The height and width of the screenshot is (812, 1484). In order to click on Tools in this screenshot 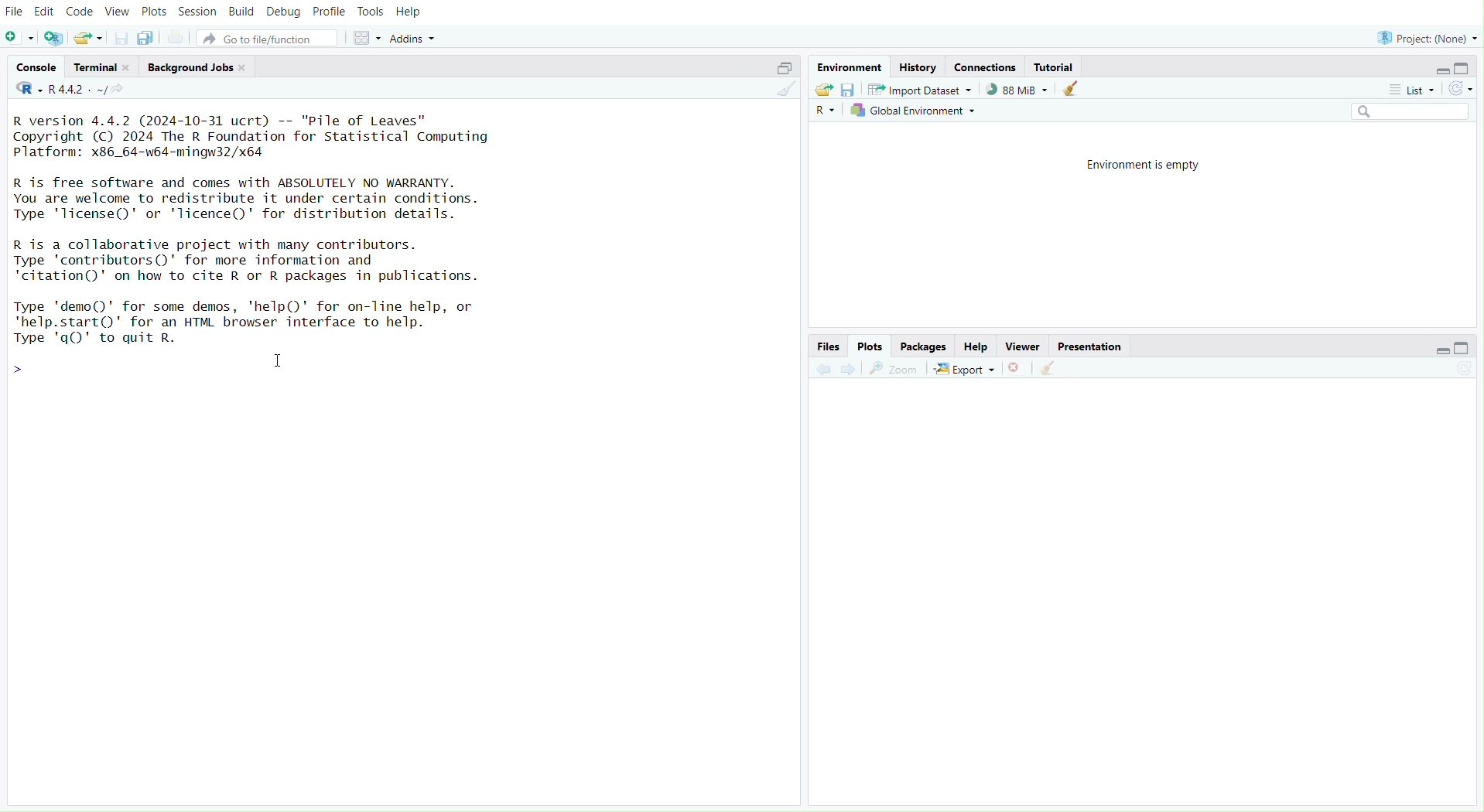, I will do `click(367, 11)`.